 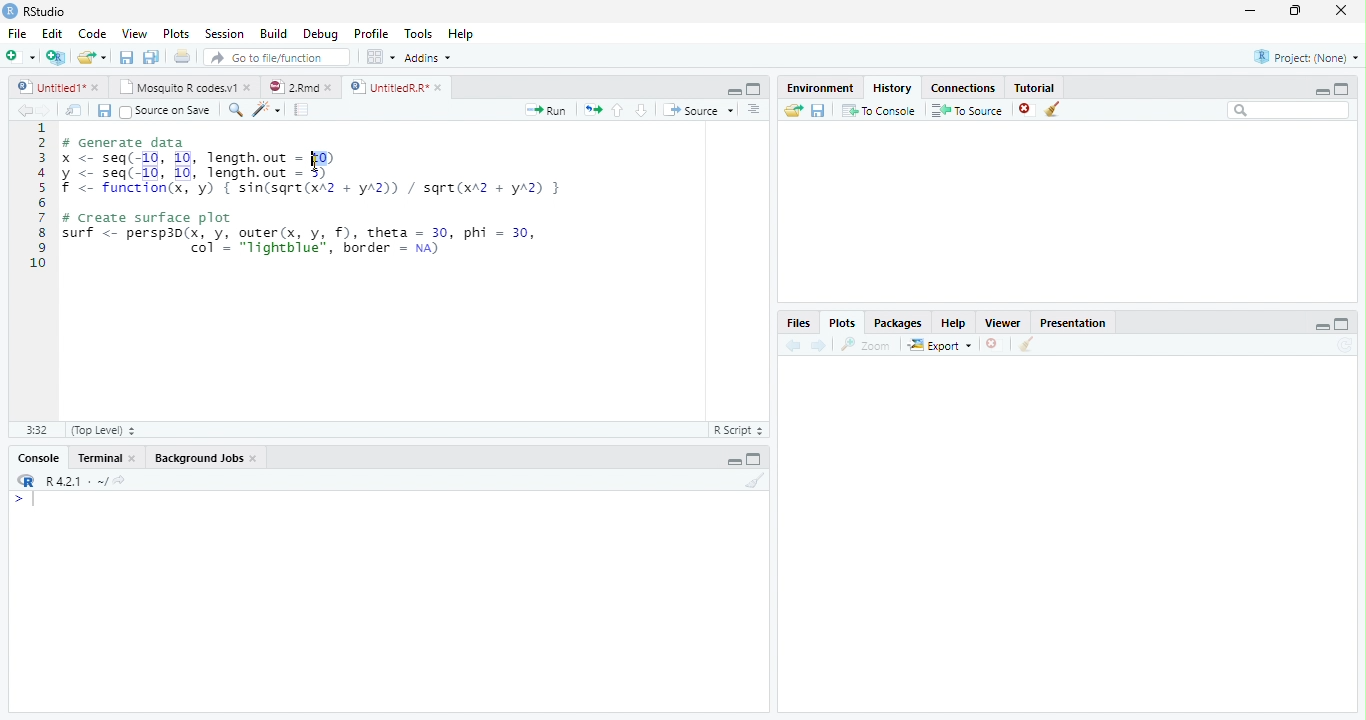 I want to click on View the current working directory, so click(x=120, y=478).